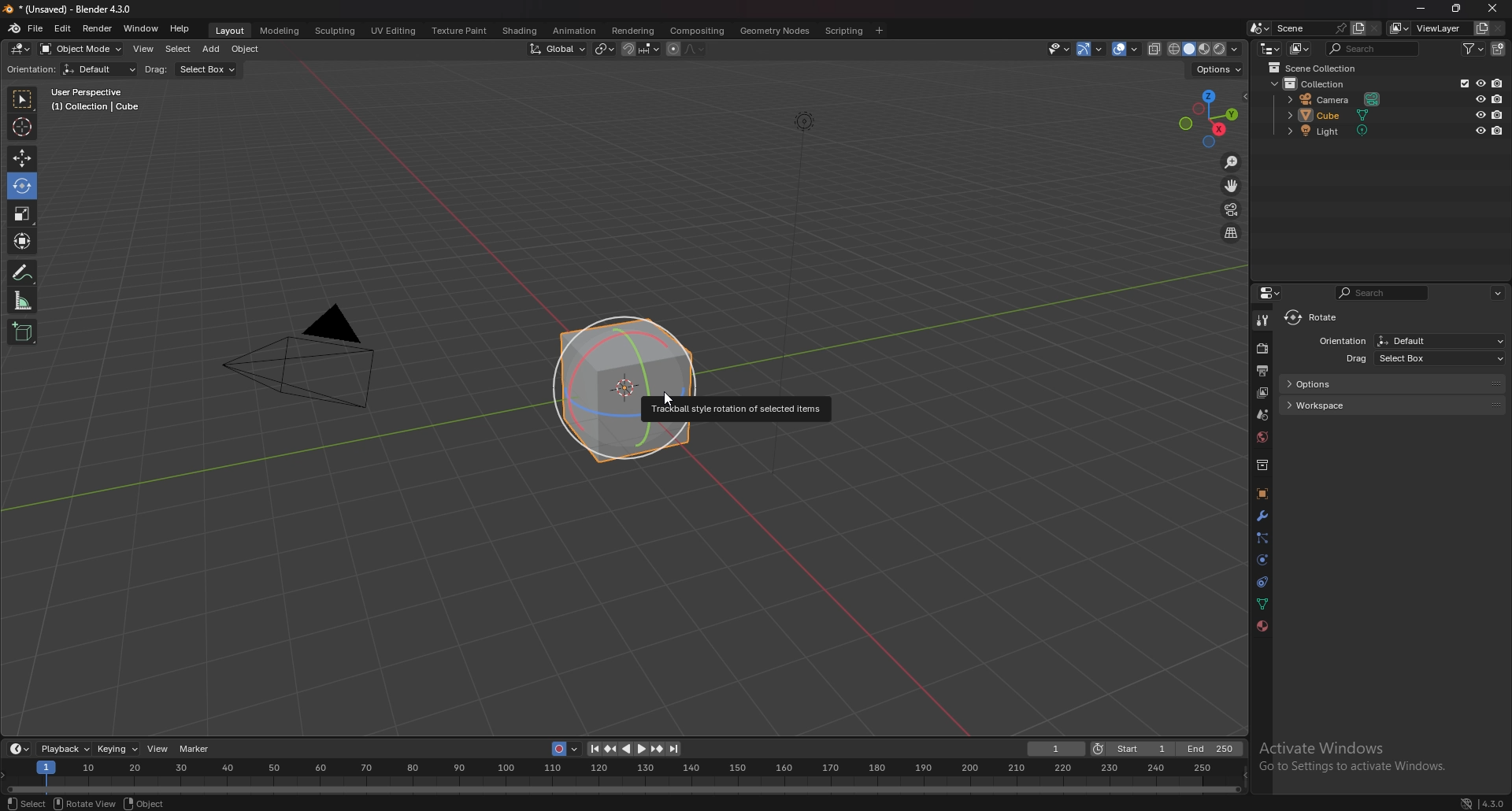  I want to click on options, so click(1499, 293).